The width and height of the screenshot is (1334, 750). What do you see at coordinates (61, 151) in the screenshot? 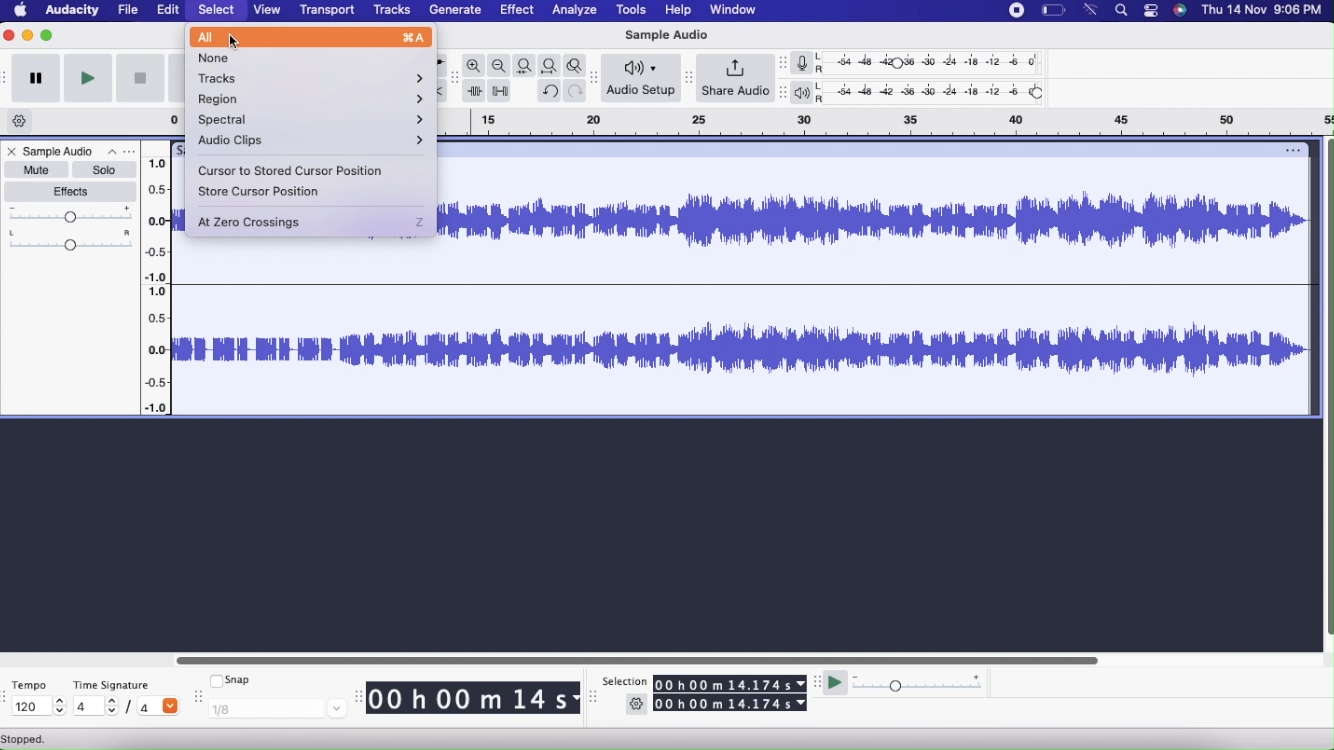
I see `Sample Audio` at bounding box center [61, 151].